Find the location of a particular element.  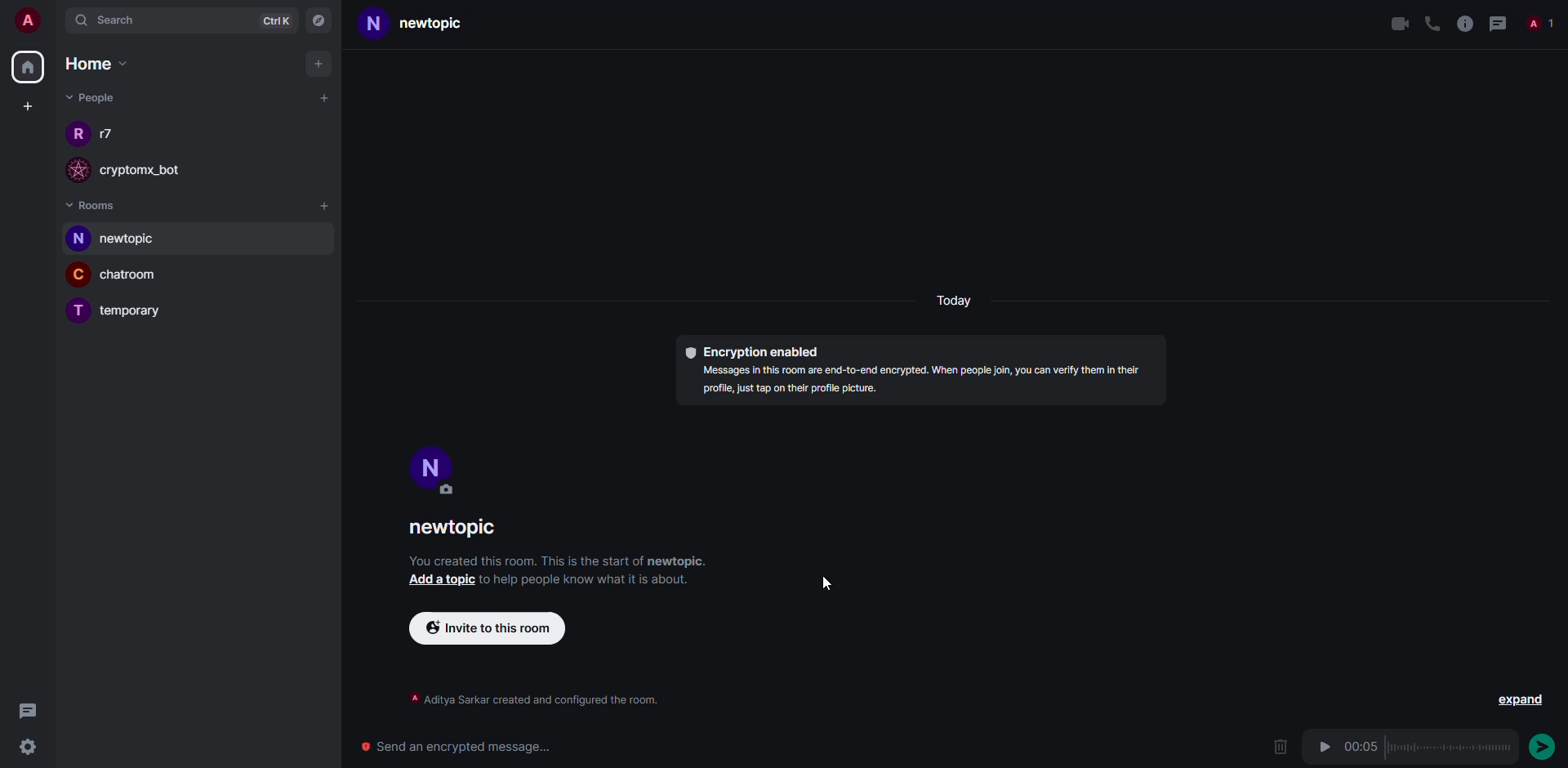

info is located at coordinates (527, 699).